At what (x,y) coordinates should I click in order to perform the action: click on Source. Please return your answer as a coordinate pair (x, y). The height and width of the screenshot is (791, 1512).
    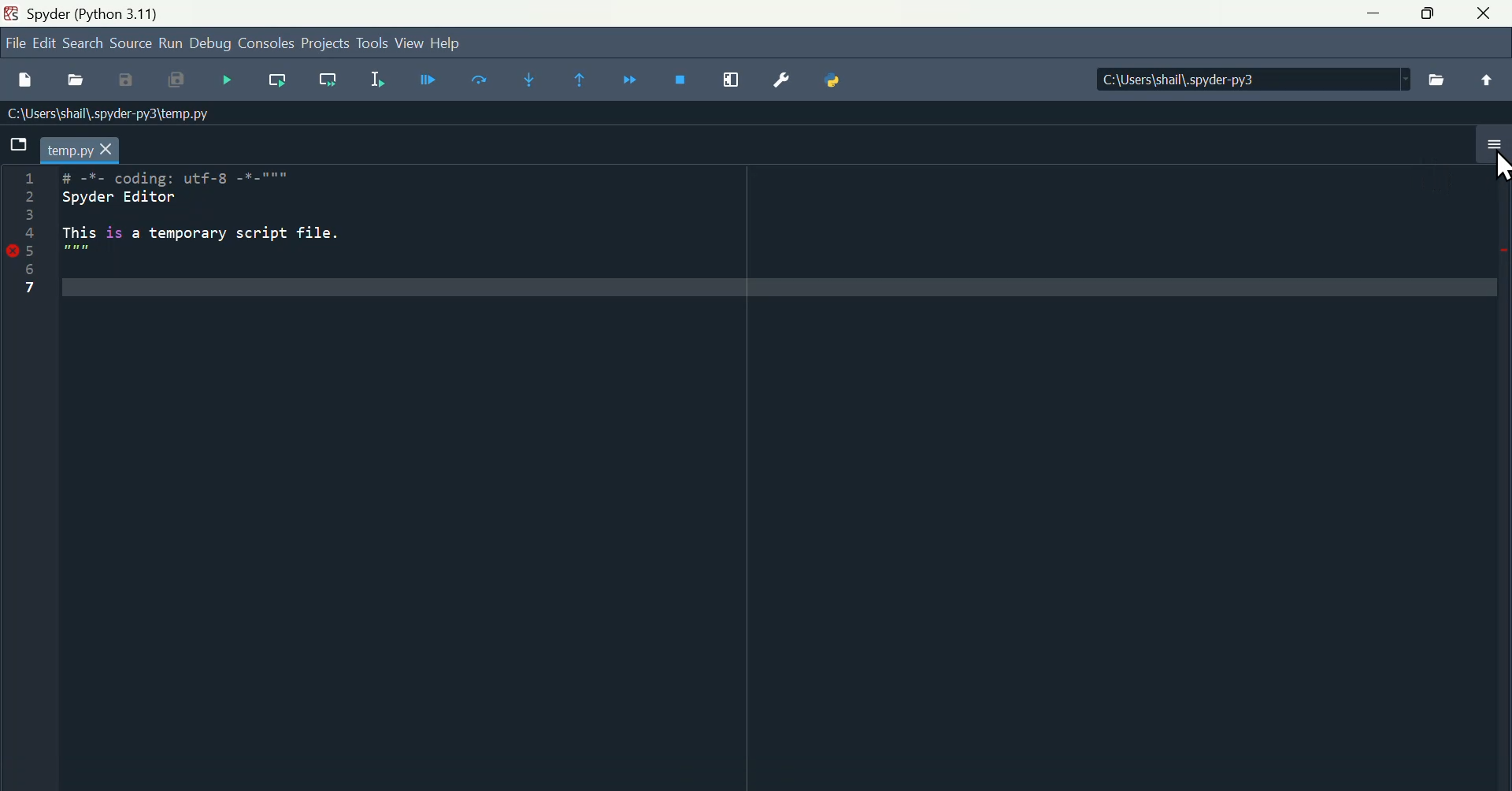
    Looking at the image, I should click on (132, 47).